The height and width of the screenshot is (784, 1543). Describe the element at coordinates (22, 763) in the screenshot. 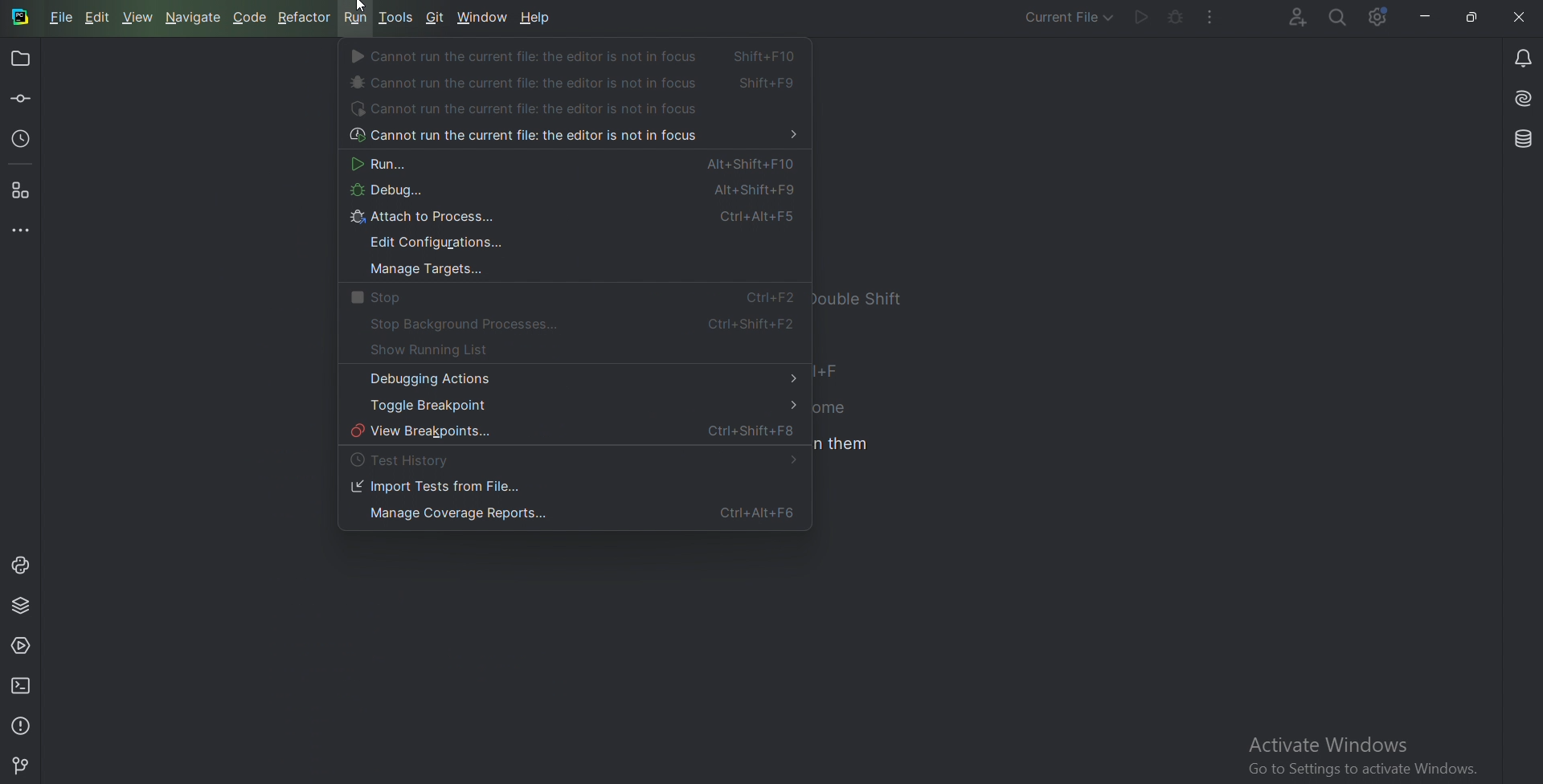

I see `Git` at that location.